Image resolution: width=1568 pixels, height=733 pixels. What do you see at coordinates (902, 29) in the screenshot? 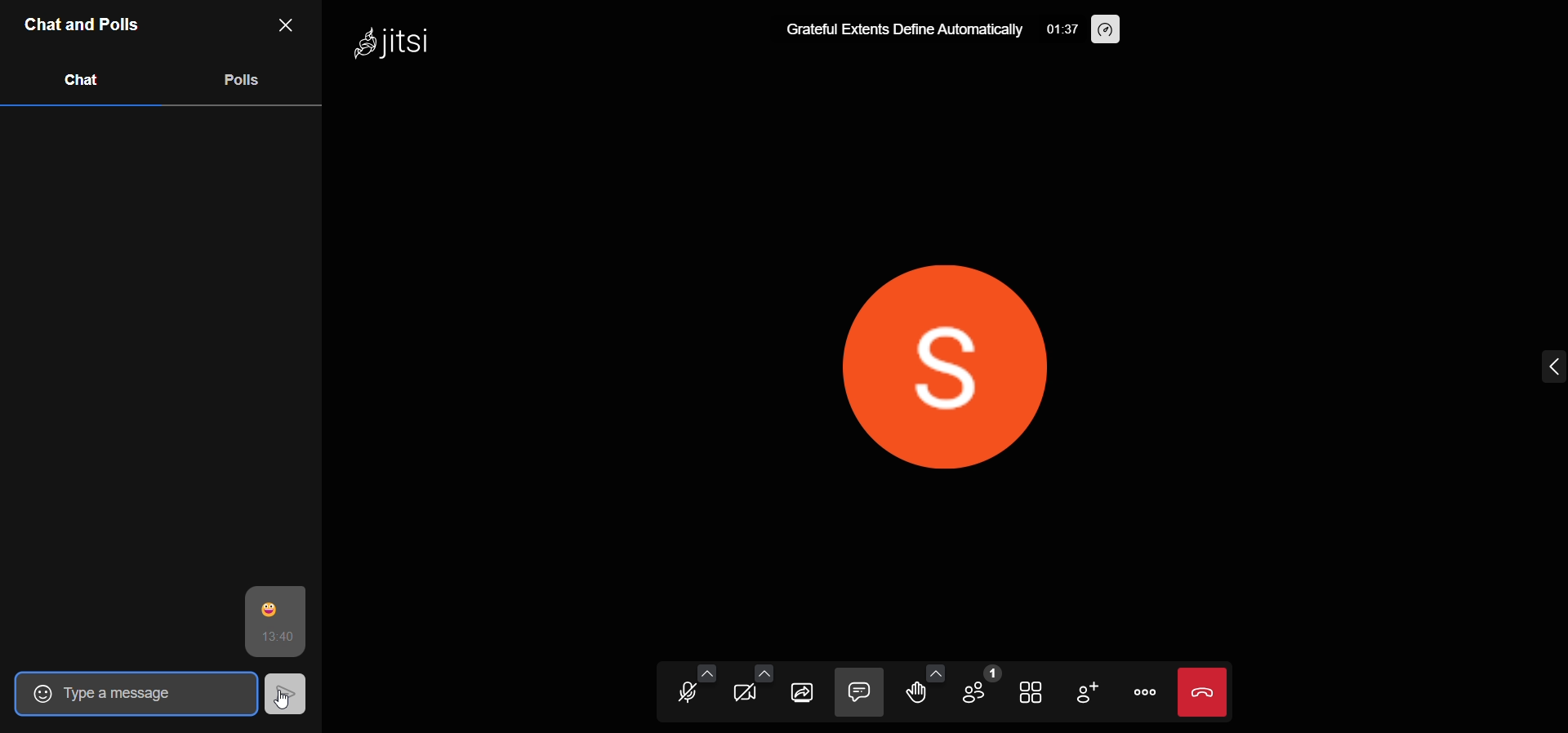
I see `meeting title` at bounding box center [902, 29].